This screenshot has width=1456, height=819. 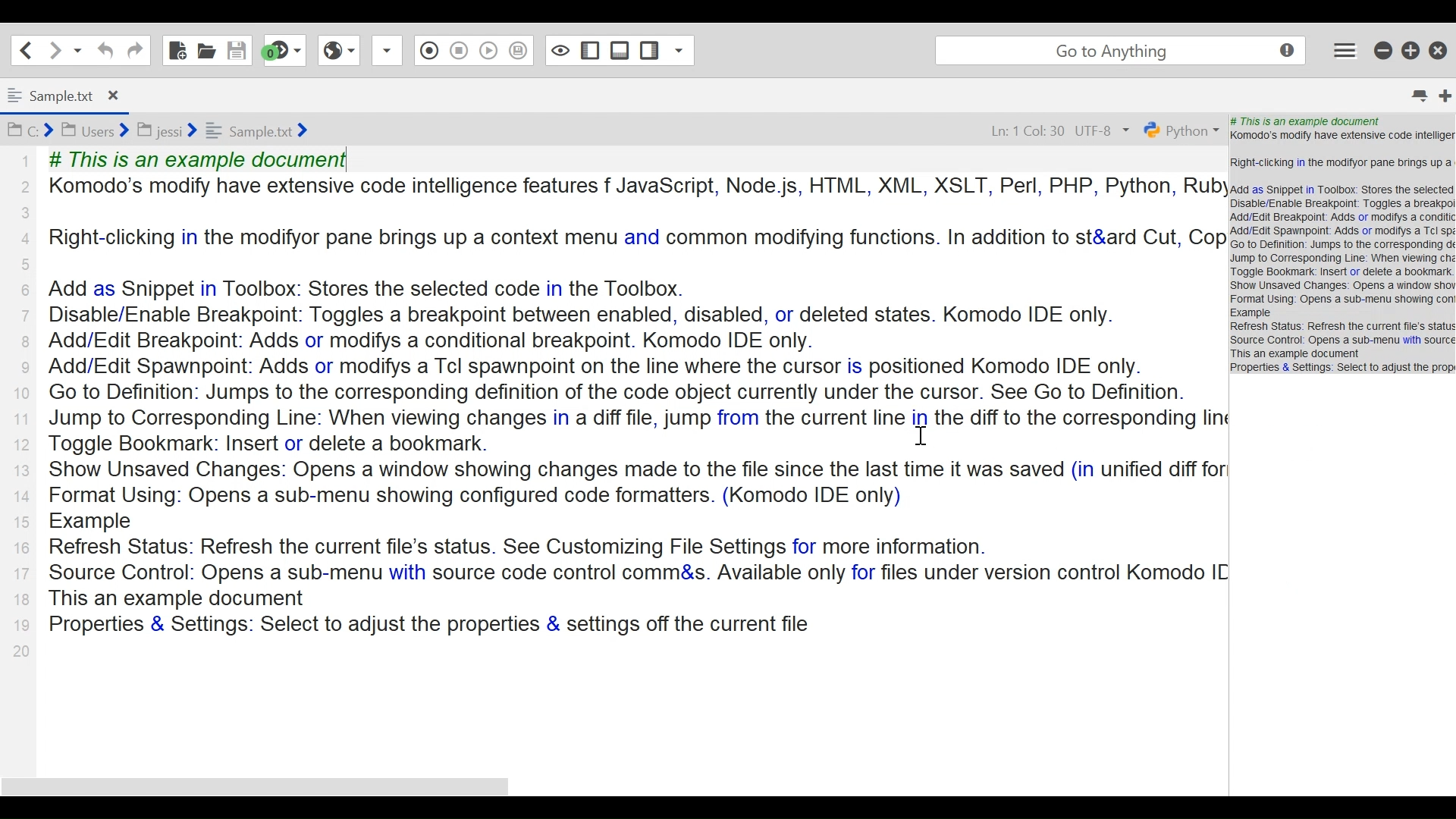 I want to click on # This is an example document

Komodo’s modify have extensive code intelligence features f JavaScript, Node js, HTML, XML, XSLT, Perl, PHP, Python, Ruby, & Tcl. Komodo provi
Right-clicking in the modifyor pane brings up a context menu and common modifying functions. In addition to st&ard Cut, Copy, Paste, Select All, &
Add as Snippet in Toolbox: Stores the selected code in the Toolbox.

Disable/Enable Breakpoint: Toggles a breakpoint between enabled, disabled, or deleted states. Komodo IDE only.

Add/Edit Breakpoint: Adds or modifys a conditional breakpoint. Komodo IDE only.

Add/Edit Spawnpoint: Adds or modifys a Tcl spawnpoint on the line where the cursor is positioned Komodo IDE only.

Go to Definition: Jumps to the corresponding definition of the code object currently under the cursor. See Go to Definition.

Jump to Corresponding Line: When viewing changes in a diff file, jump from the current line in the diff to the corresponding line in the the source cod
Toggle Bookmark: Insert or delete a bookmark.

Show Unsaved Changes: Opens a window showing changes made to the file since the last time it was saved (in unified diff format). Press F8 to jump
Format Using: Opens a sub-menu showing configured code formatters. (Komodo IDE only)

Example

Refresh Status: Refresh the current file's status. See Customizing File Settings for more information.

Source Control: Opens a sub-menu with source code control comm&s. Available only for files under version control Komodo IDE only.

This an example document

Properties & Settings: Select to adjust the properties & settings off the current file, so click(x=623, y=391).